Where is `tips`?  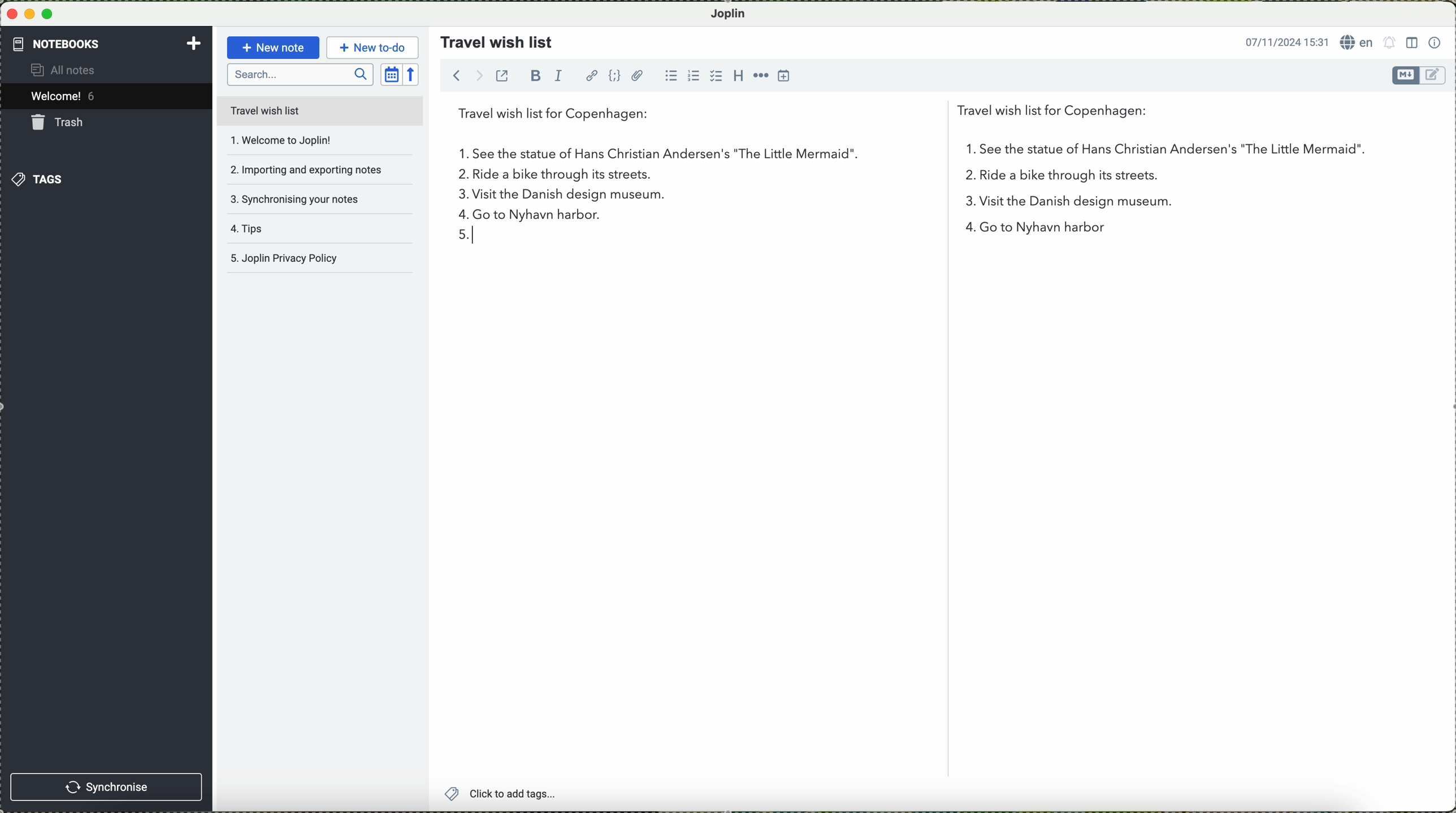 tips is located at coordinates (298, 233).